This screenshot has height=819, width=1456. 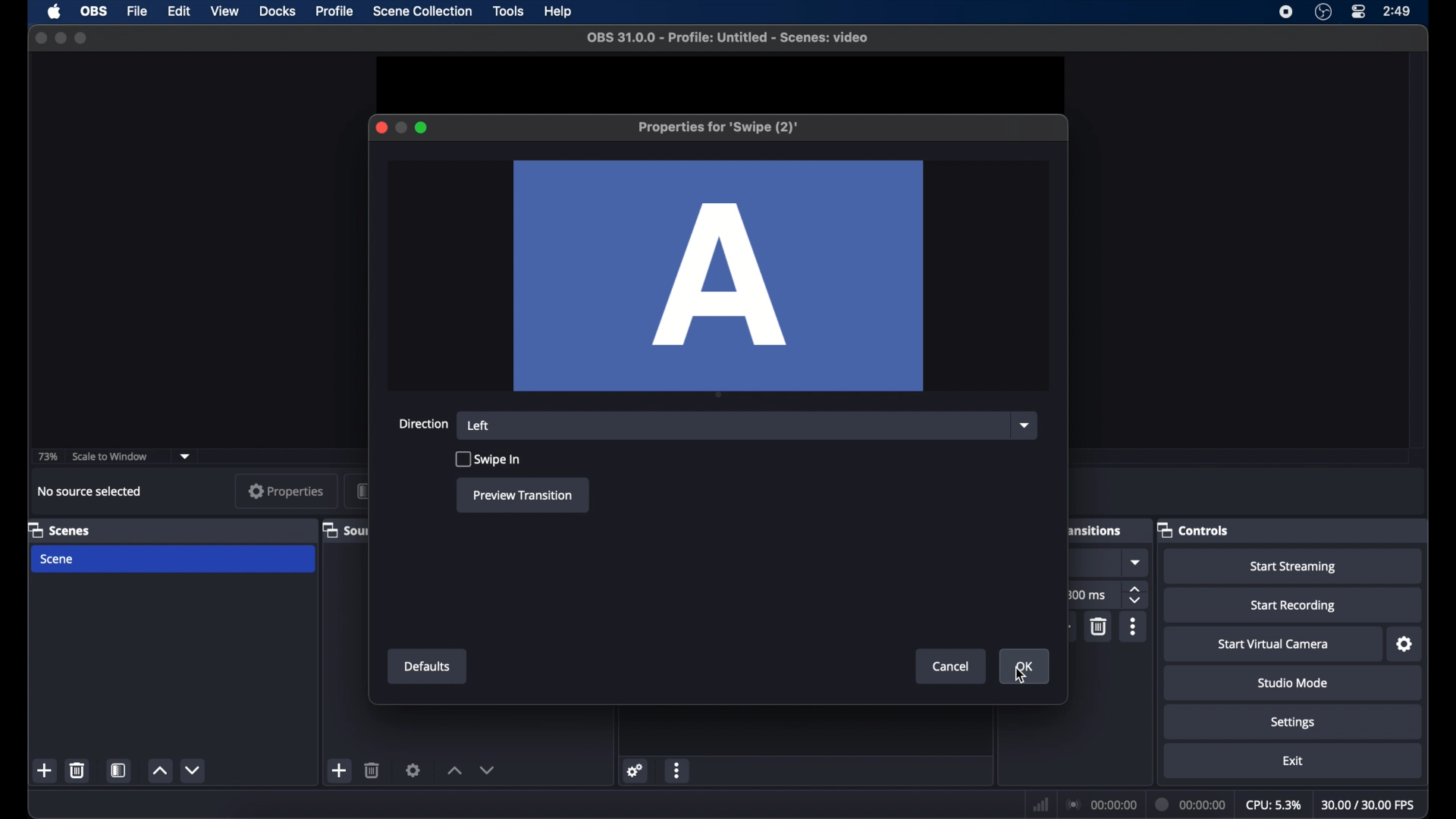 I want to click on obs, so click(x=93, y=10).